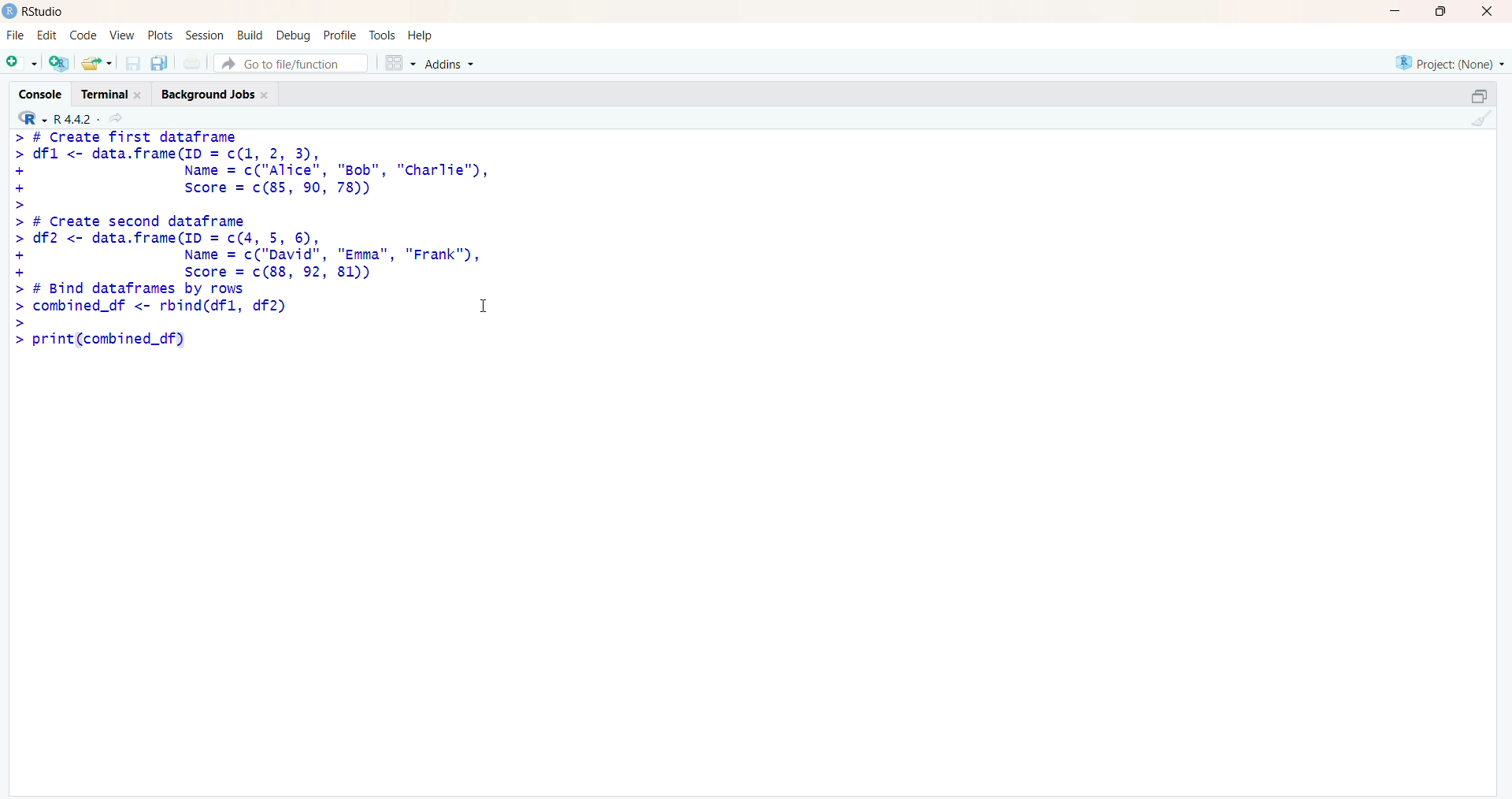 Image resolution: width=1512 pixels, height=799 pixels. Describe the element at coordinates (1480, 96) in the screenshot. I see `minimize` at that location.